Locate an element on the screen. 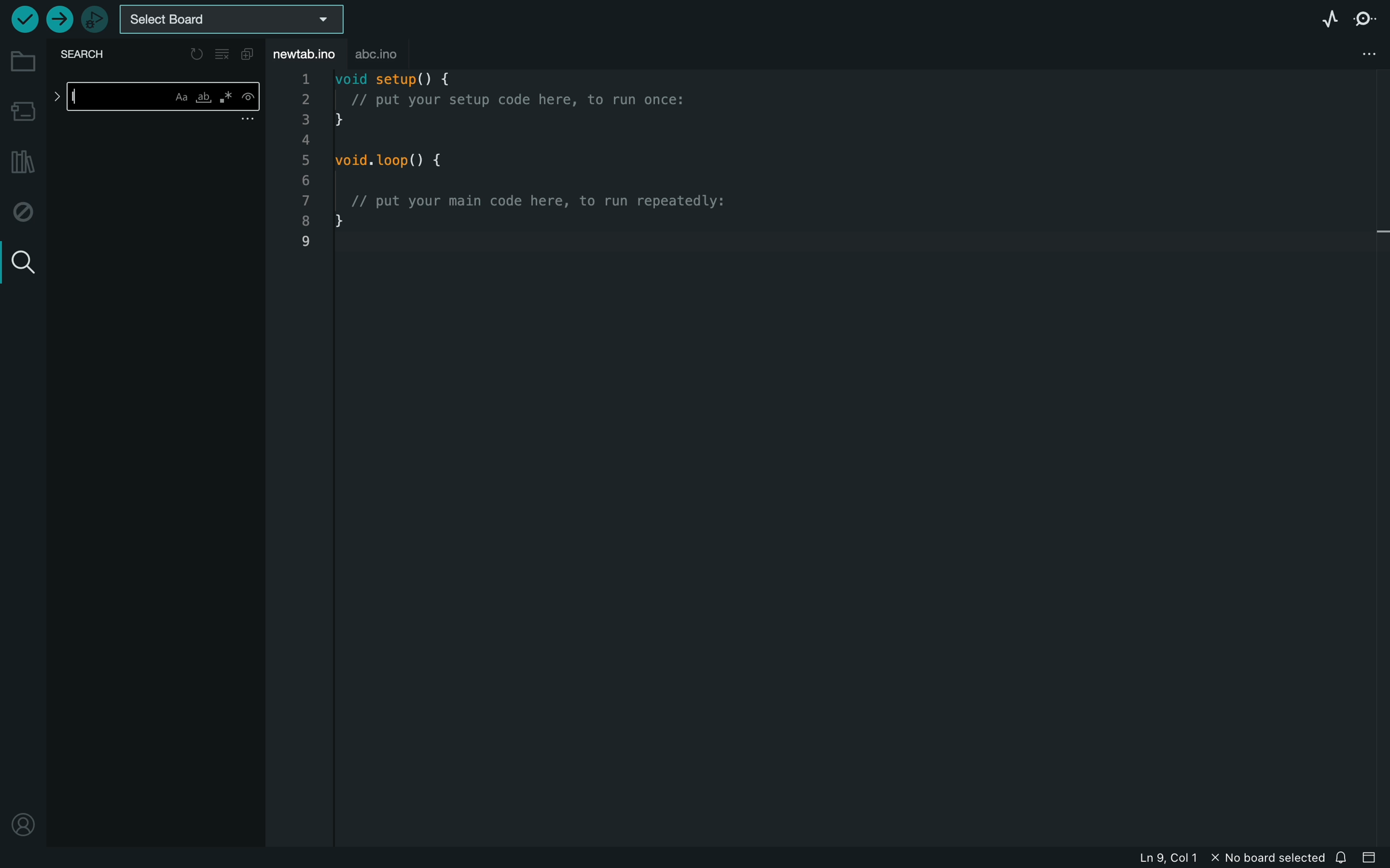  search bar is located at coordinates (155, 99).